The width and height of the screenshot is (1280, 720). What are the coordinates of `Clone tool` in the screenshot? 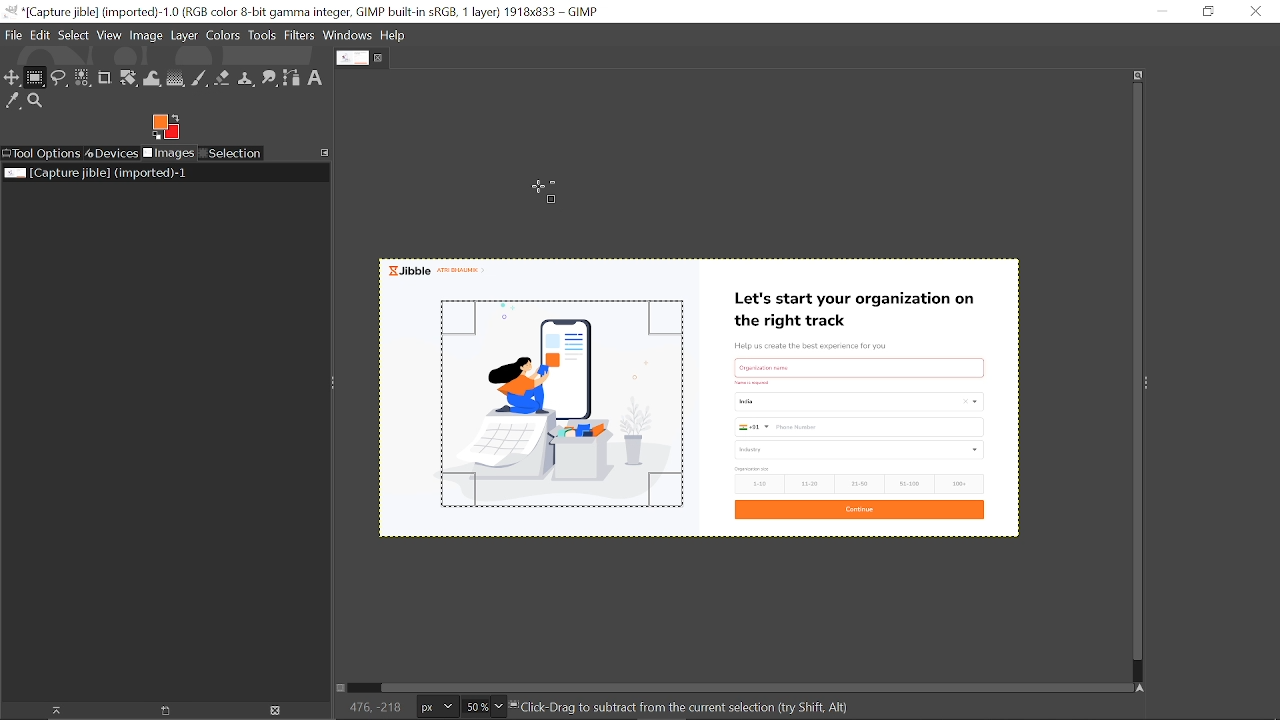 It's located at (247, 80).